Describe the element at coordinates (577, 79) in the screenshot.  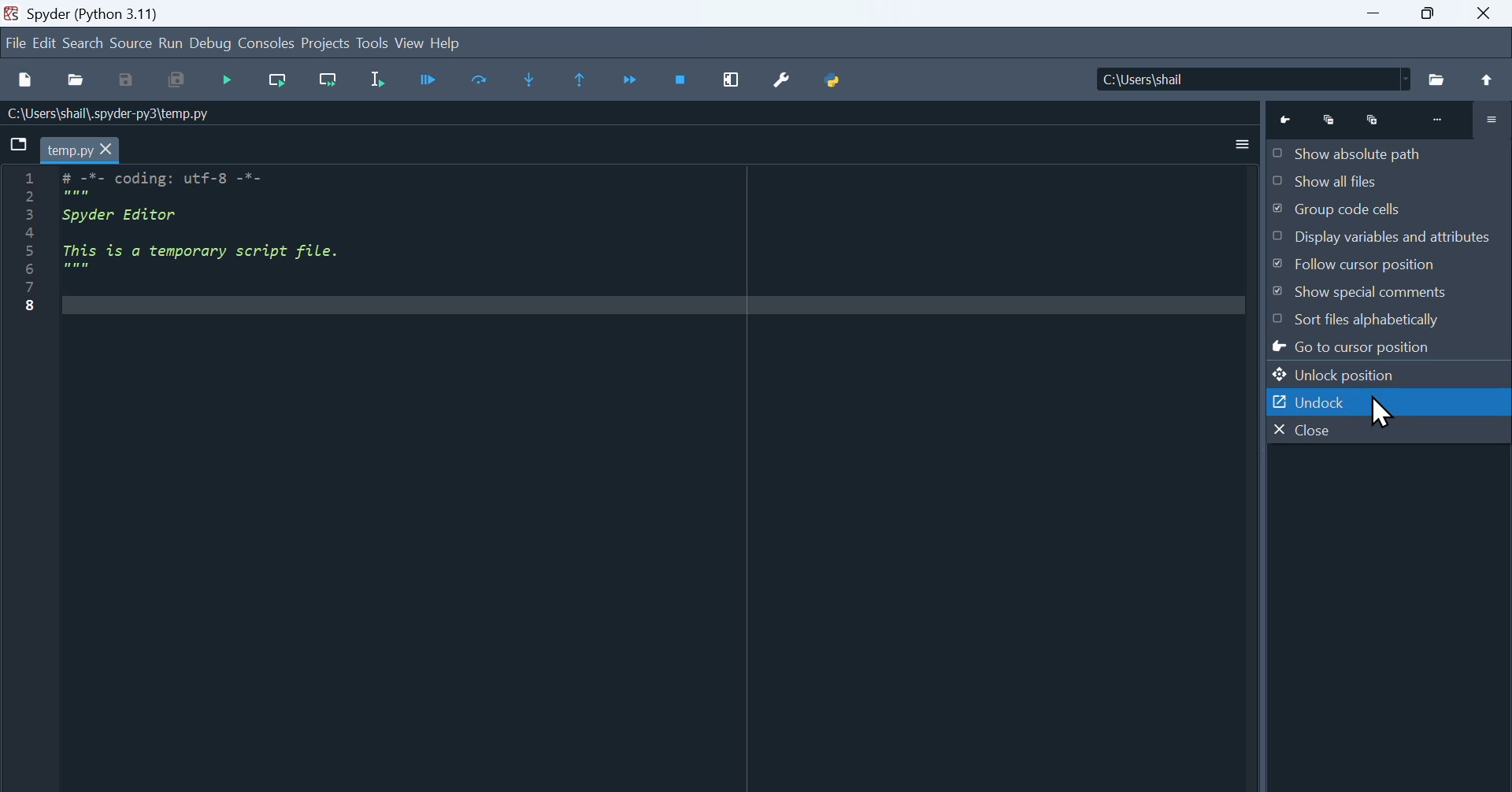
I see `Execute until same function returns` at that location.